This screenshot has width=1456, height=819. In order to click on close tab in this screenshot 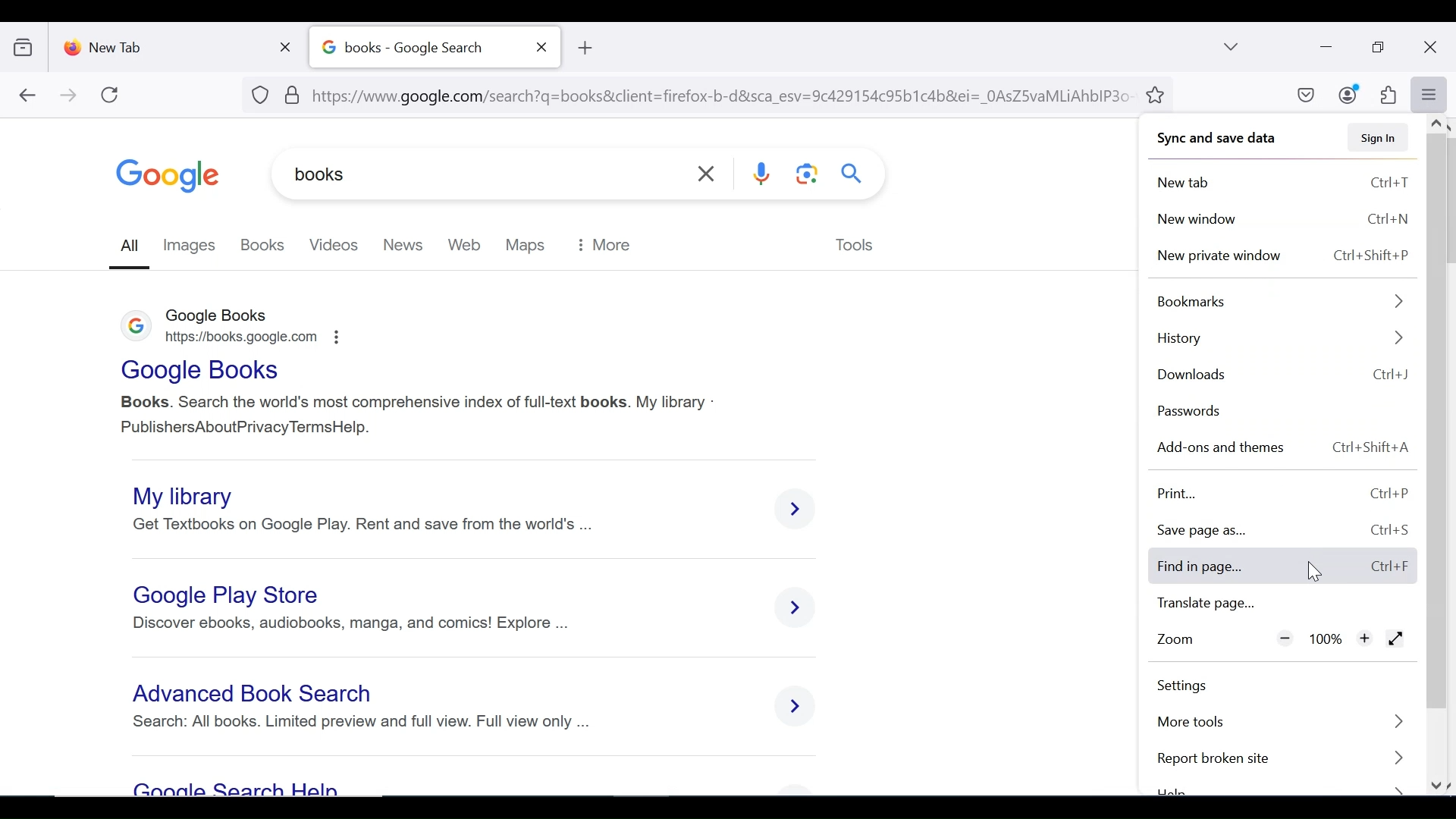, I will do `click(542, 47)`.